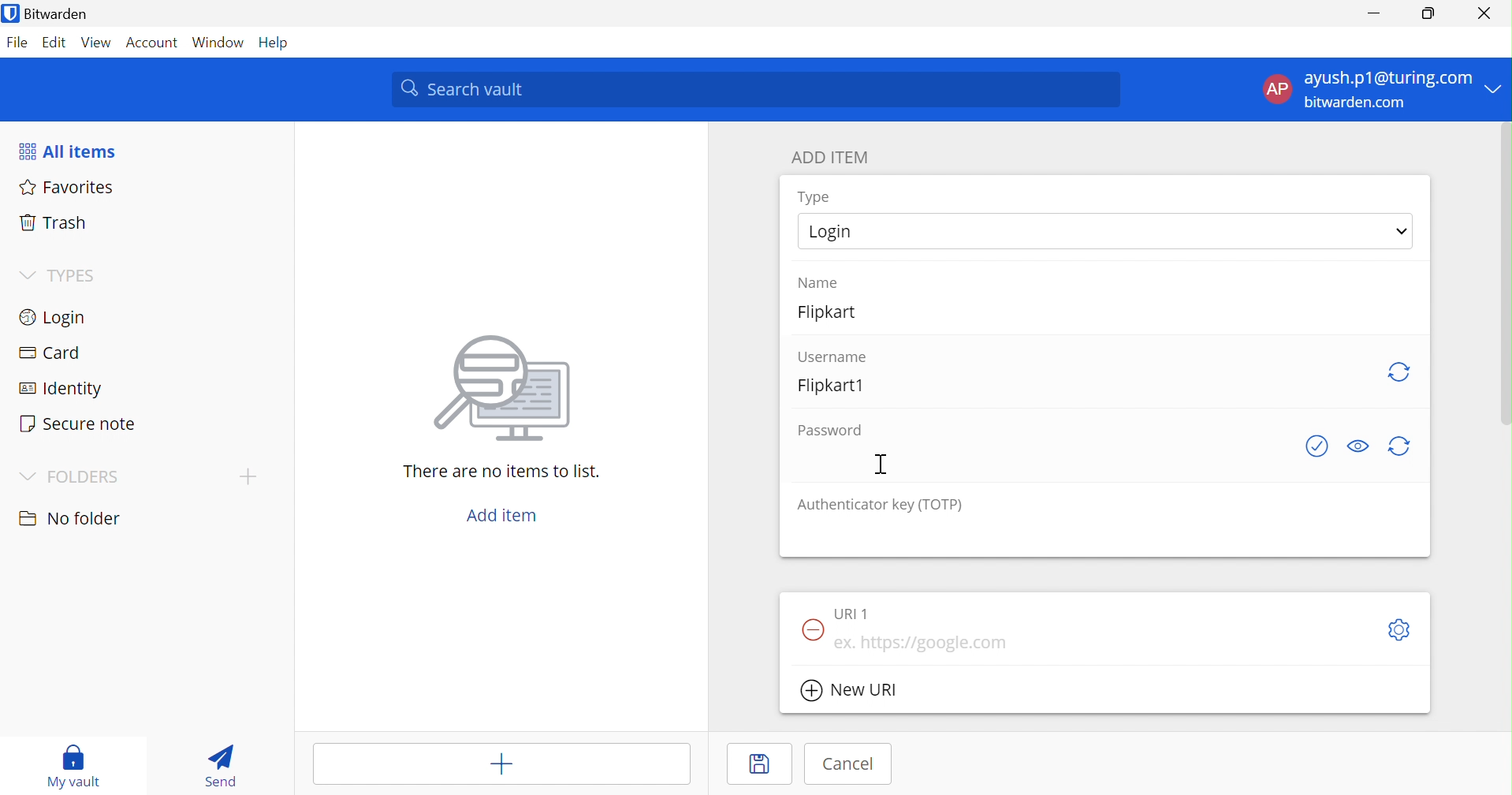  What do you see at coordinates (219, 766) in the screenshot?
I see `Send` at bounding box center [219, 766].